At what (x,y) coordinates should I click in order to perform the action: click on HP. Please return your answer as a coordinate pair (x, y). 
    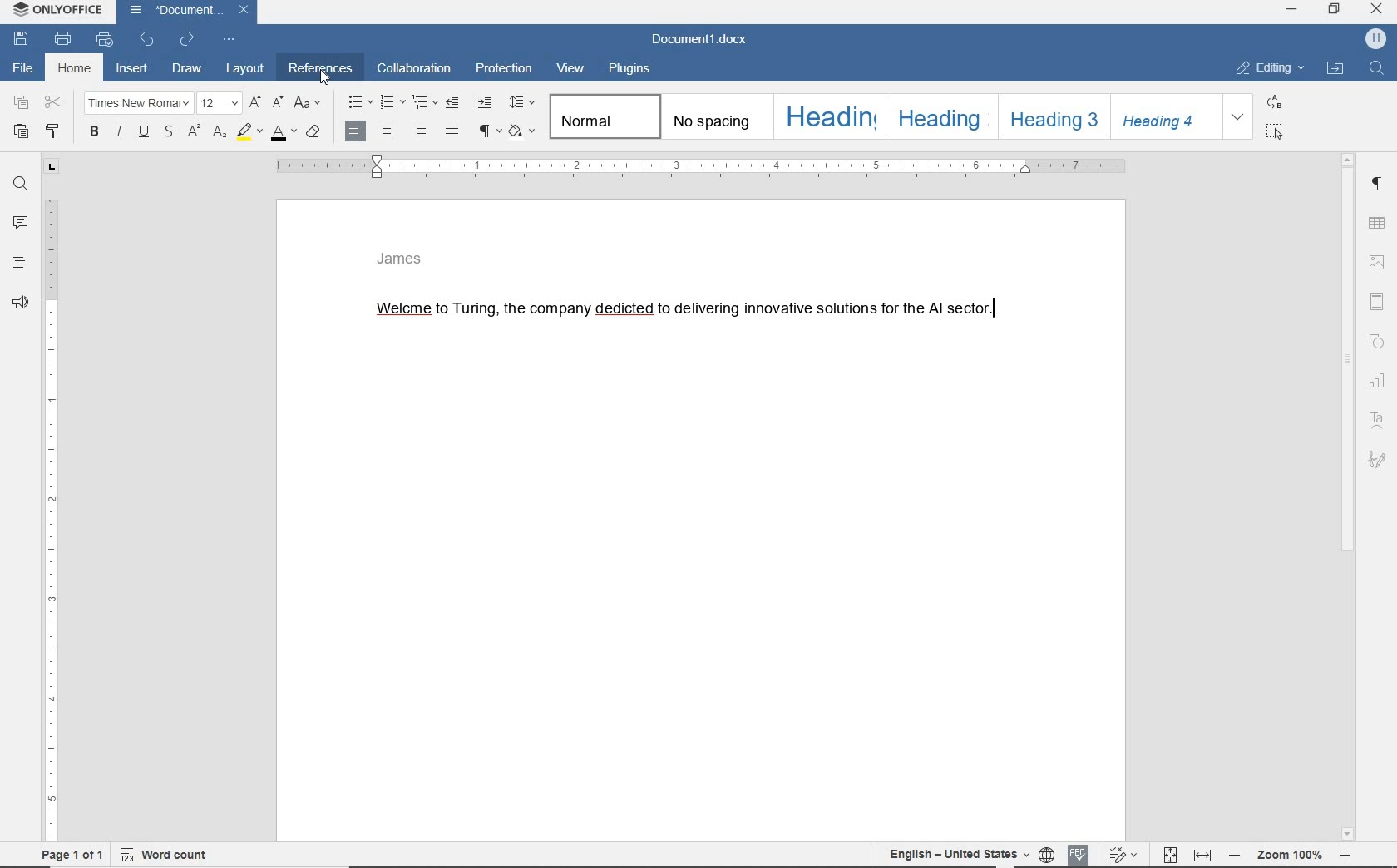
    Looking at the image, I should click on (1375, 40).